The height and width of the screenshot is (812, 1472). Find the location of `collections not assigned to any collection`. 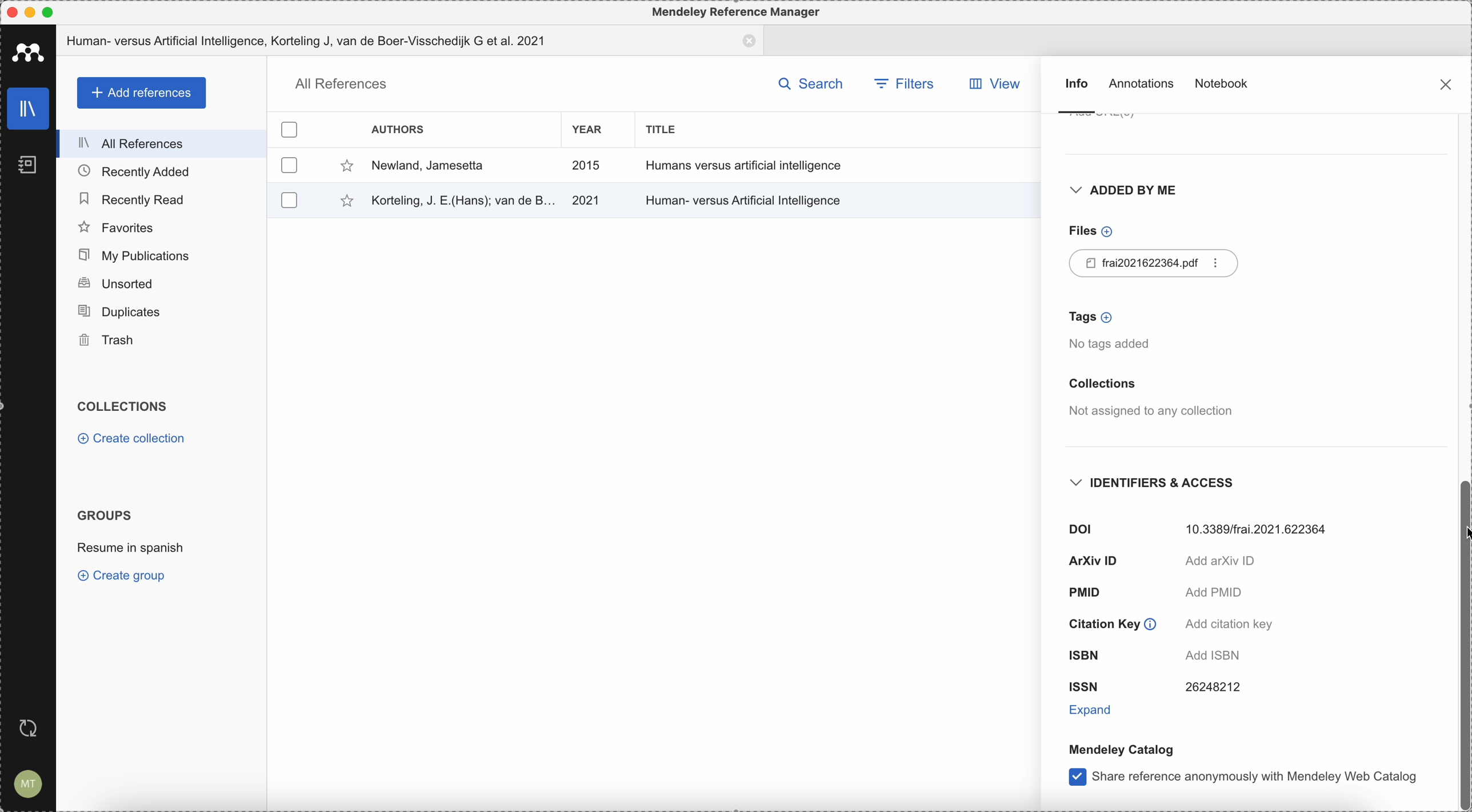

collections not assigned to any collection is located at coordinates (1149, 399).